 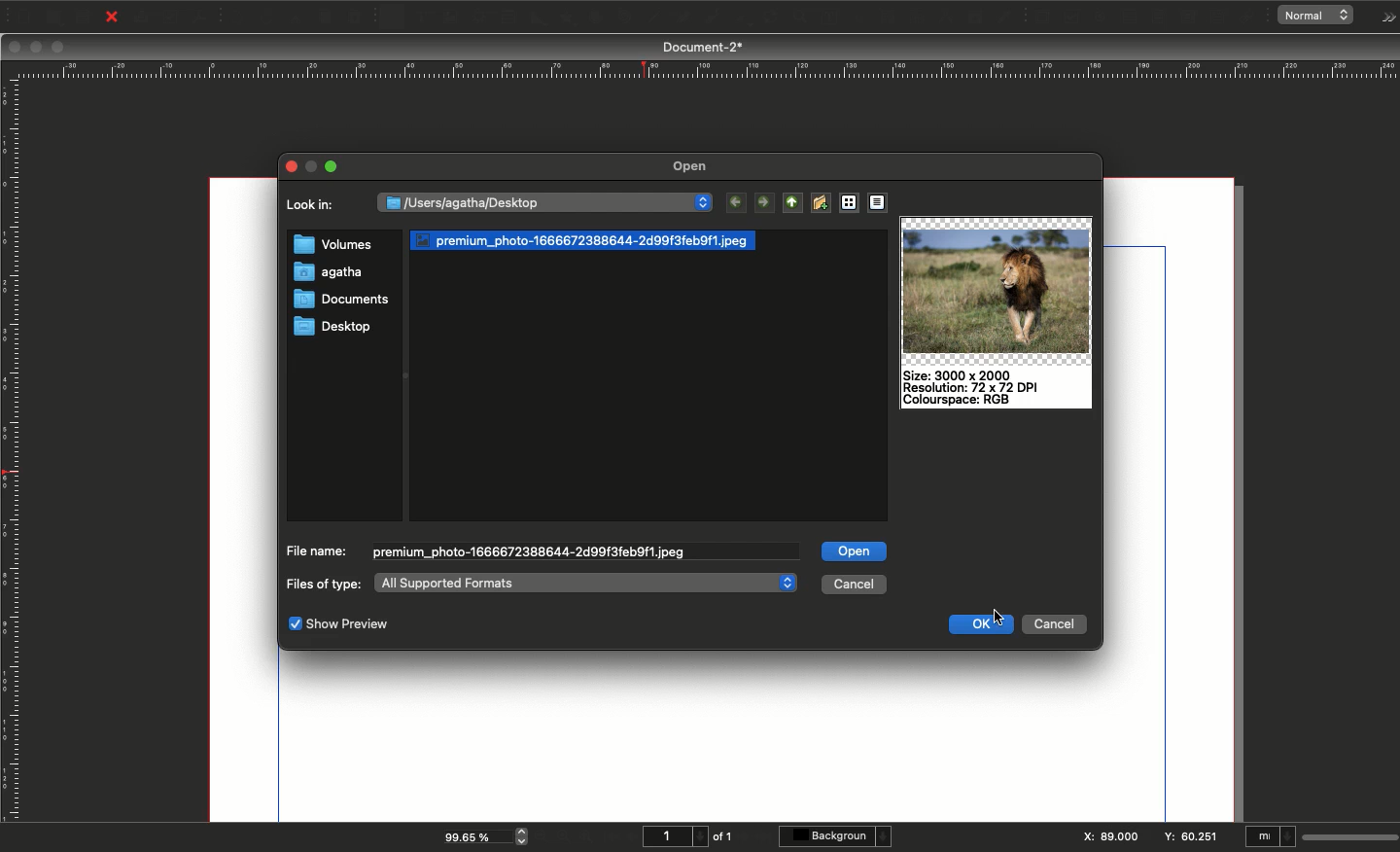 I want to click on Ok, so click(x=982, y=623).